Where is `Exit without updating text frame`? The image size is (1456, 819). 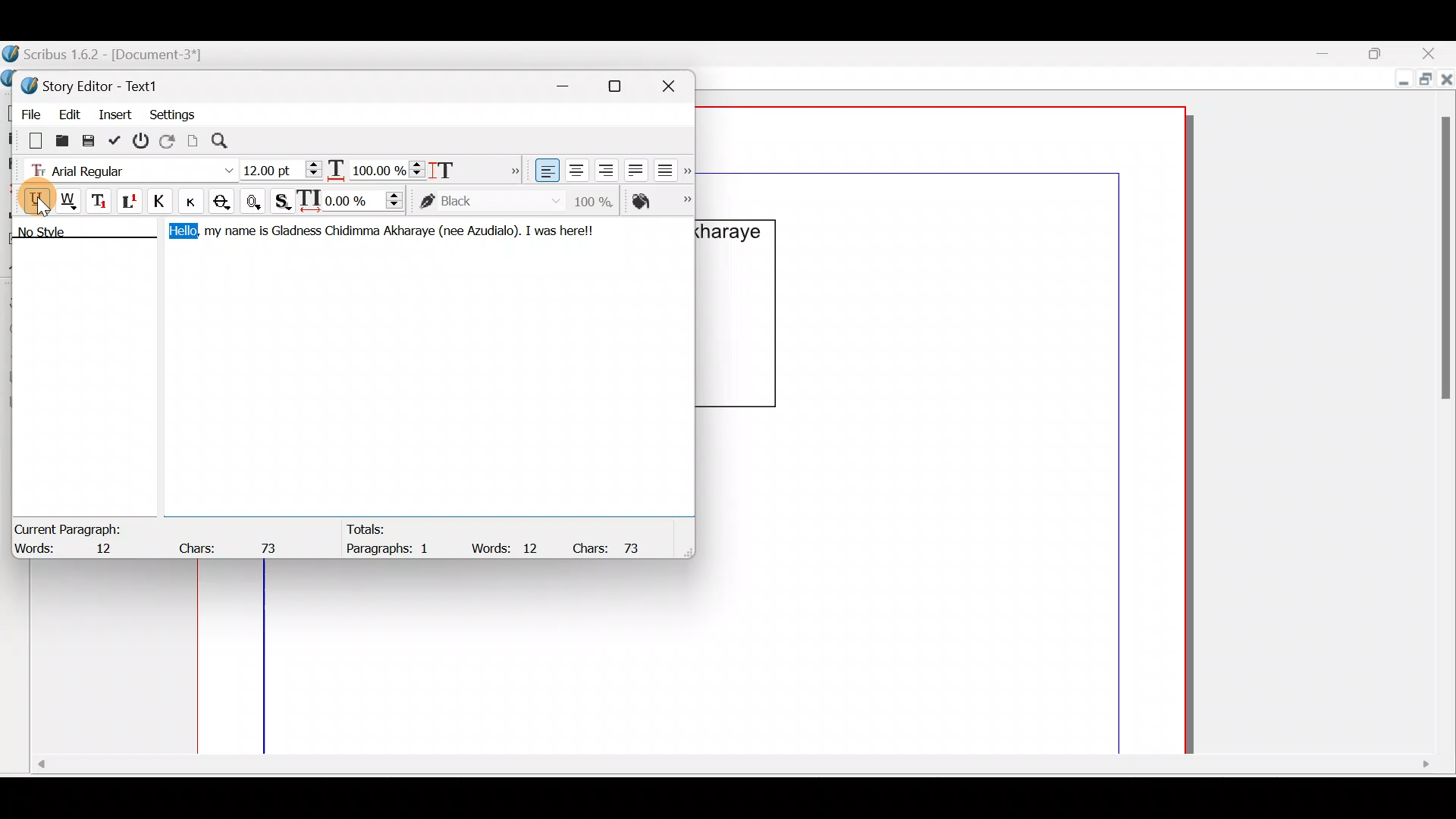
Exit without updating text frame is located at coordinates (143, 140).